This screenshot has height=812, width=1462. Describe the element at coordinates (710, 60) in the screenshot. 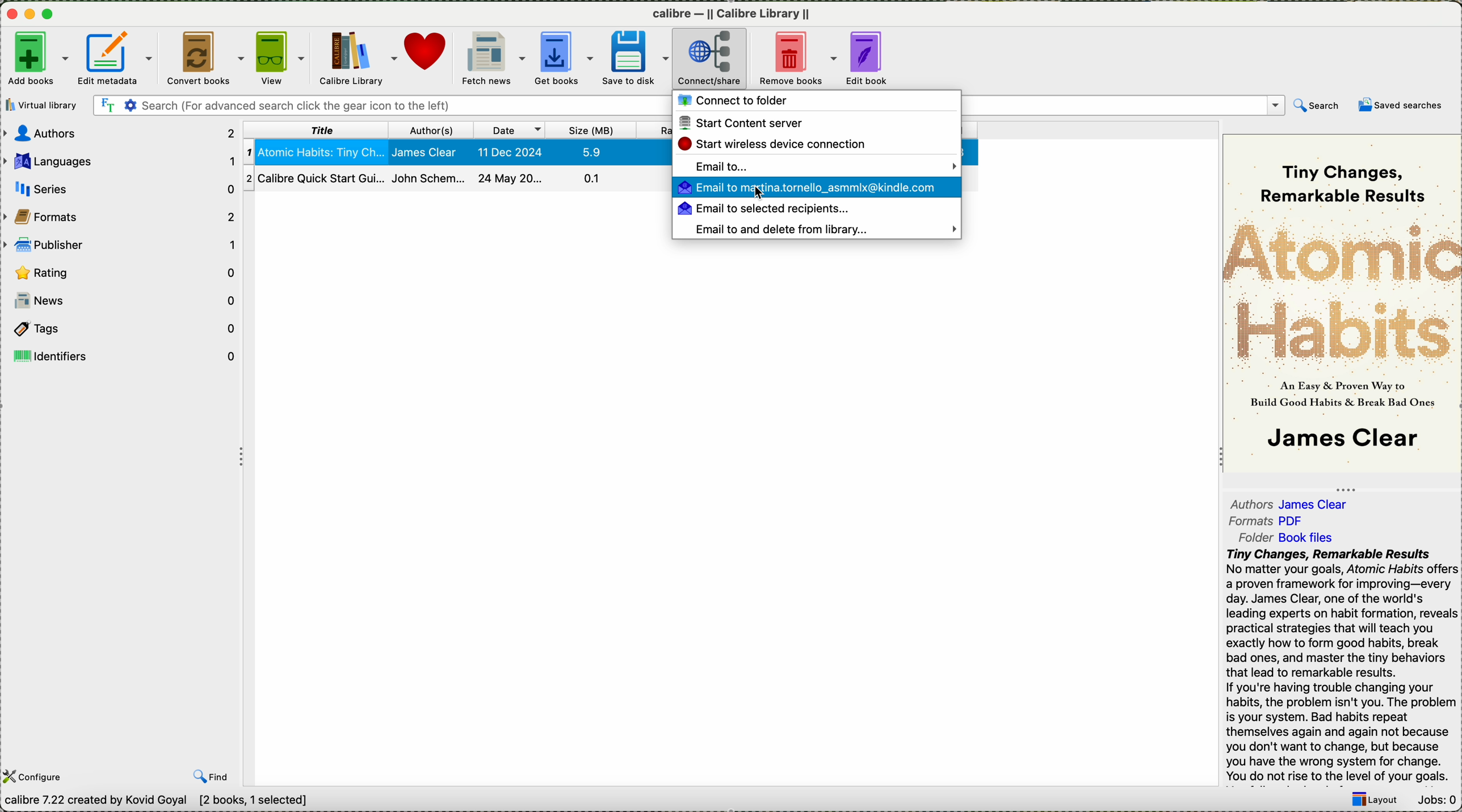

I see `click on connect/share` at that location.